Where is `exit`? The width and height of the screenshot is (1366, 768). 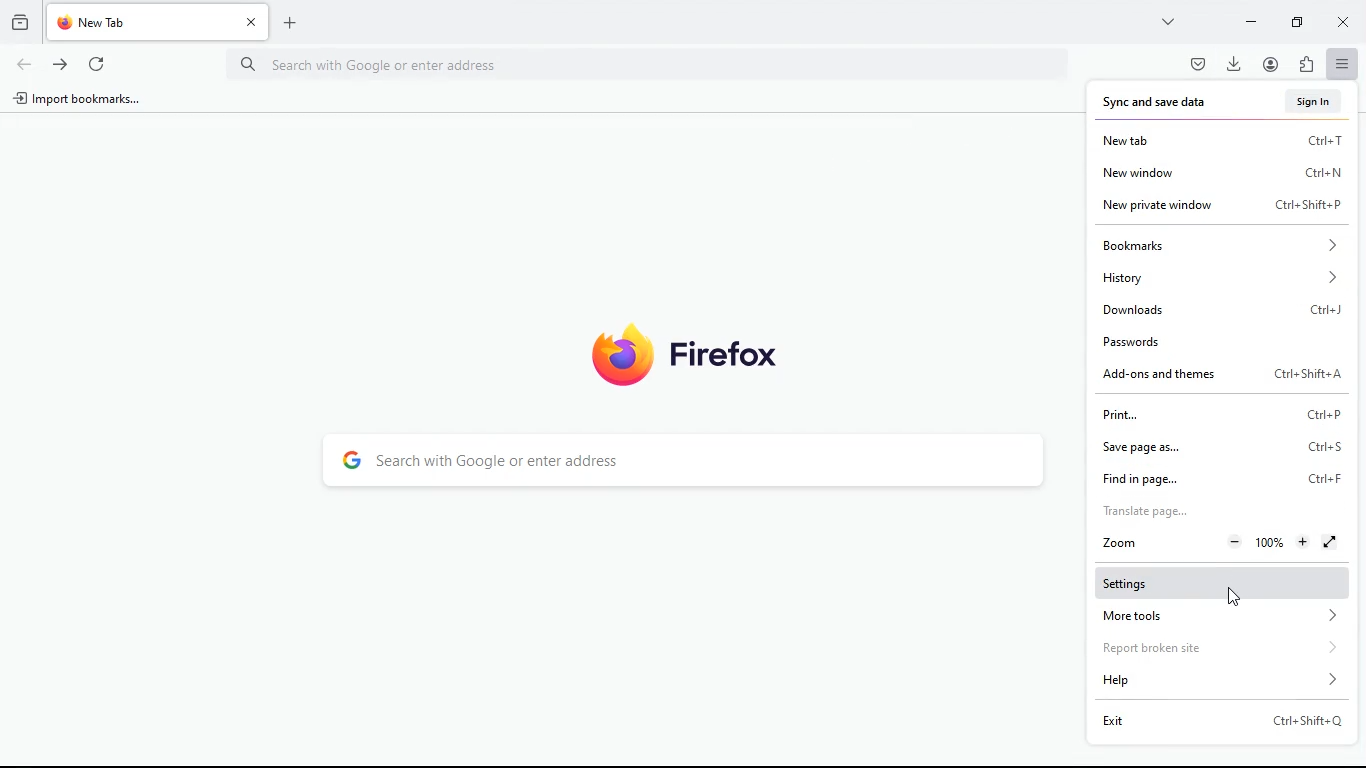
exit is located at coordinates (1211, 724).